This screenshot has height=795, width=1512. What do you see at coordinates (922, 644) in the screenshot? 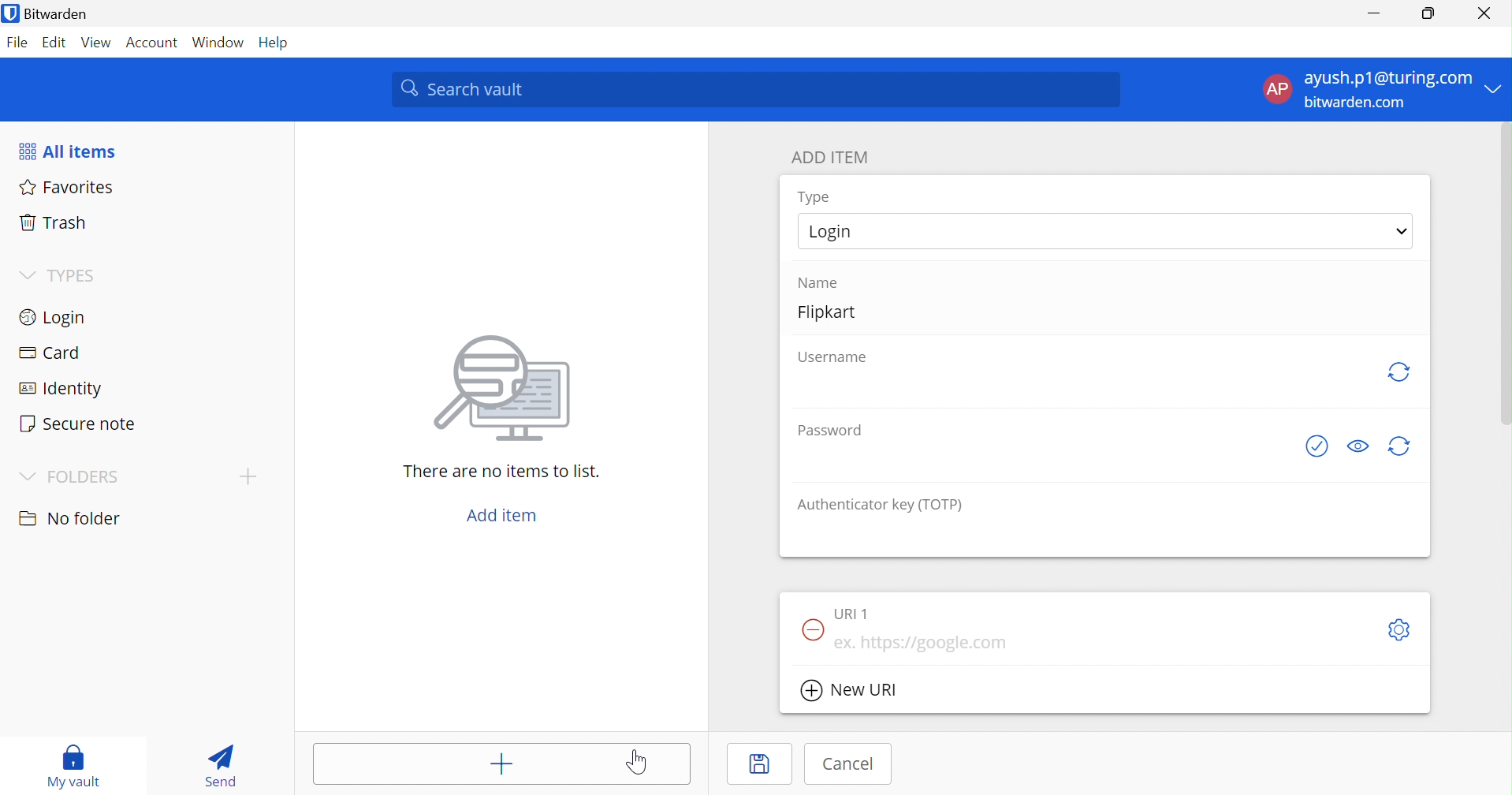
I see `eg. https://google.com` at bounding box center [922, 644].